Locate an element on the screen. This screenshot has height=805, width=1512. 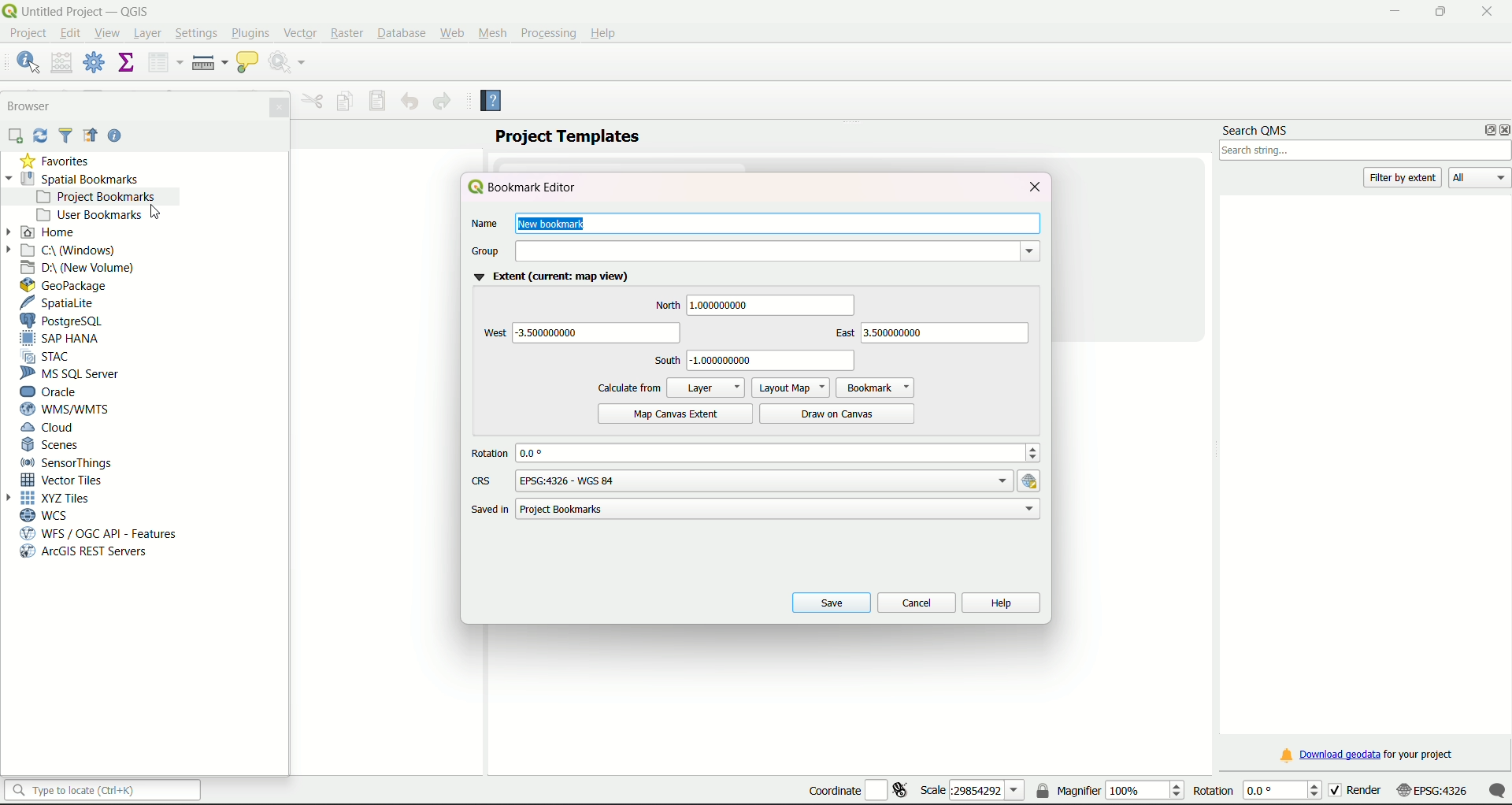
Help is located at coordinates (116, 137).